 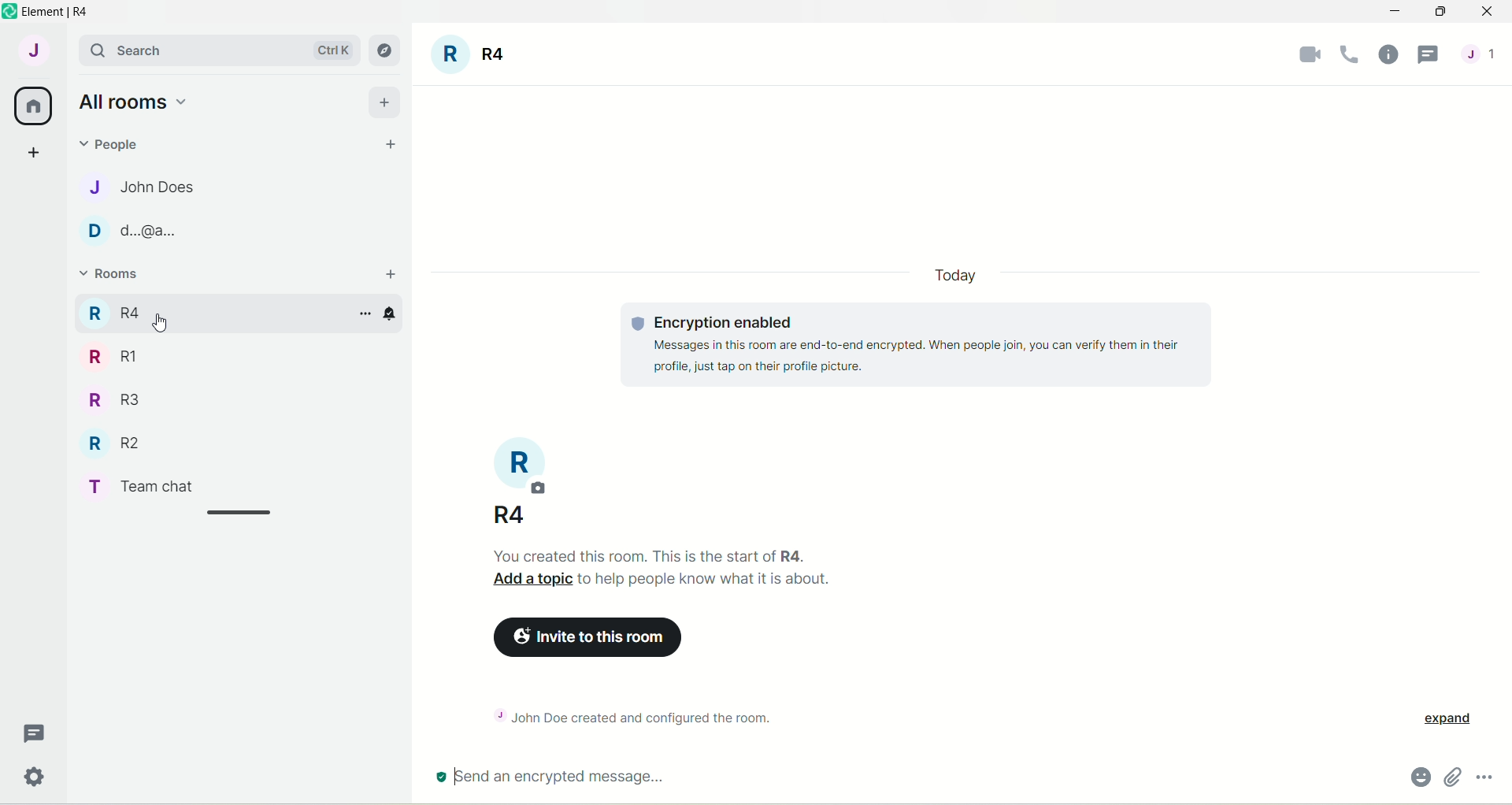 I want to click on room title, so click(x=471, y=57).